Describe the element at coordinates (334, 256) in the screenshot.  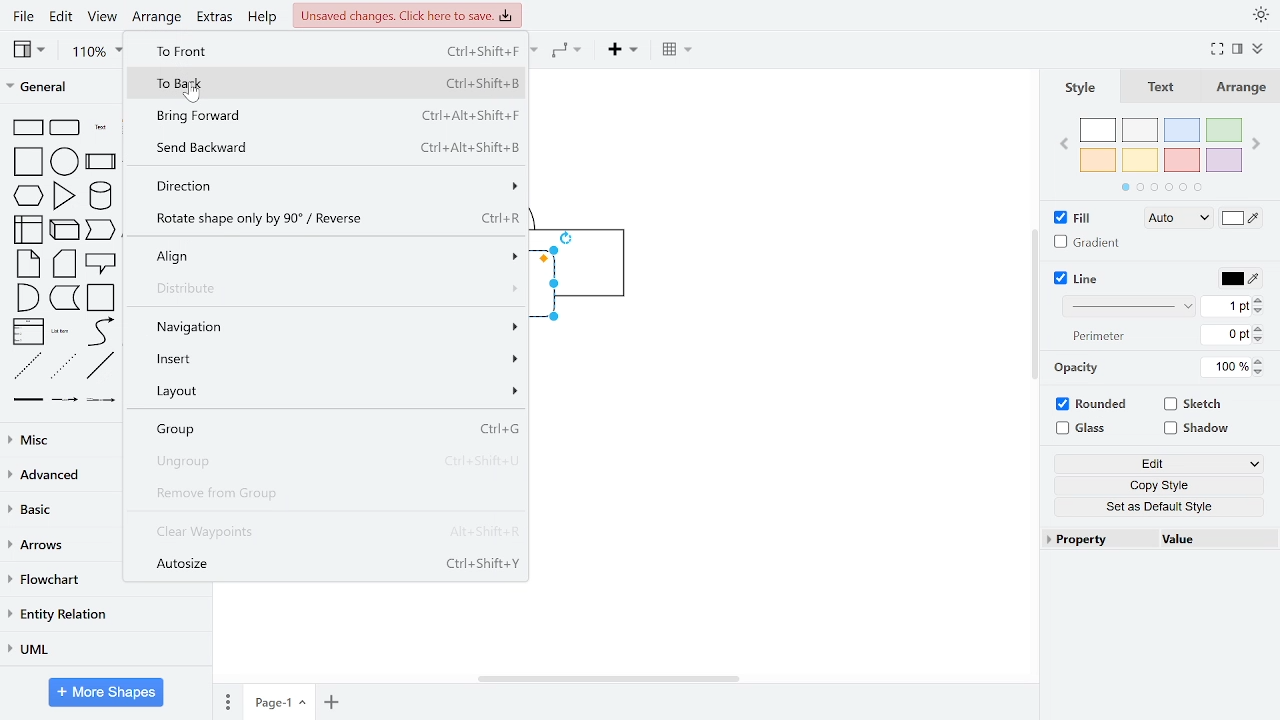
I see `align` at that location.